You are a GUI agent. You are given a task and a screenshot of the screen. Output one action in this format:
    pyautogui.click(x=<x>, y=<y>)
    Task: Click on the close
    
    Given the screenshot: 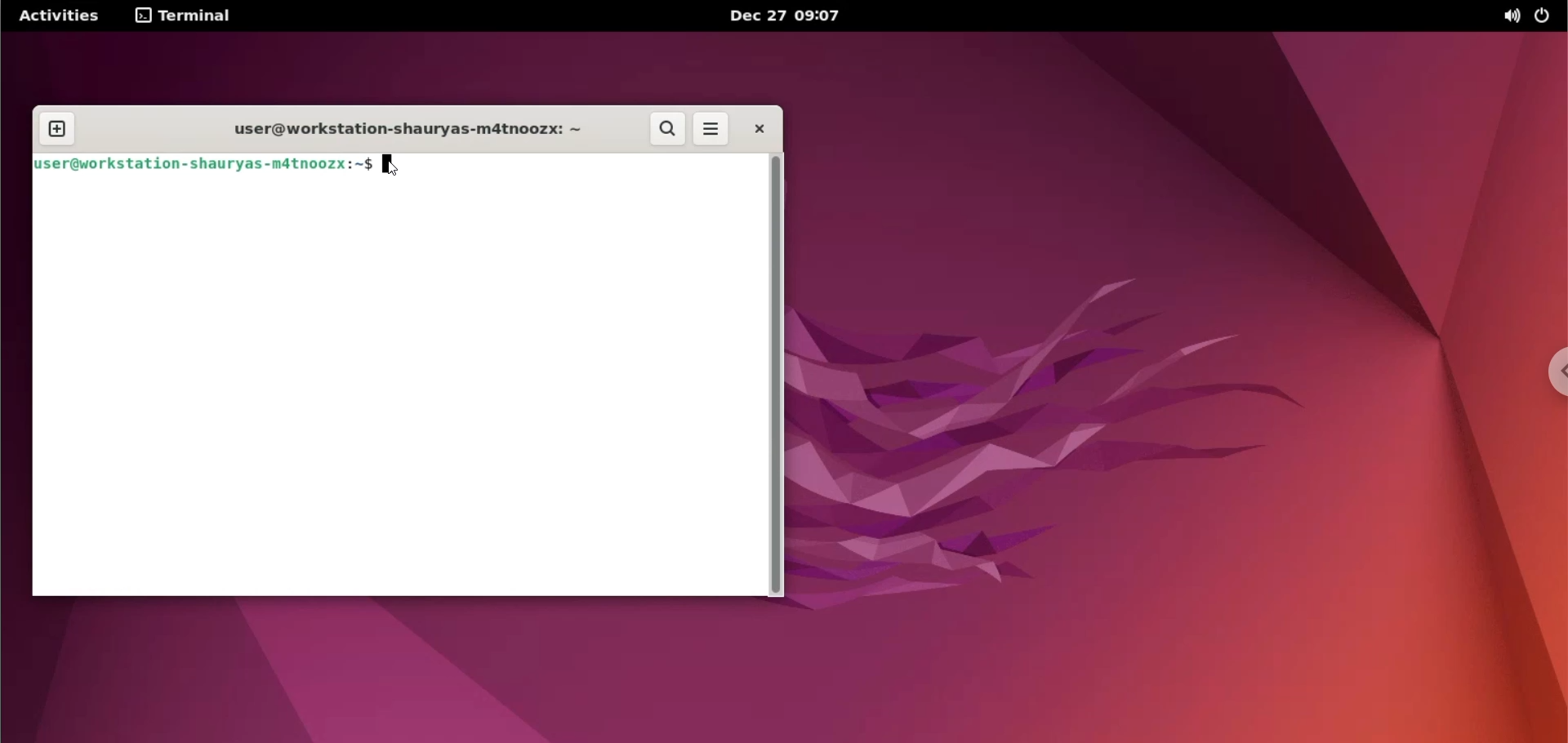 What is the action you would take?
    pyautogui.click(x=757, y=129)
    